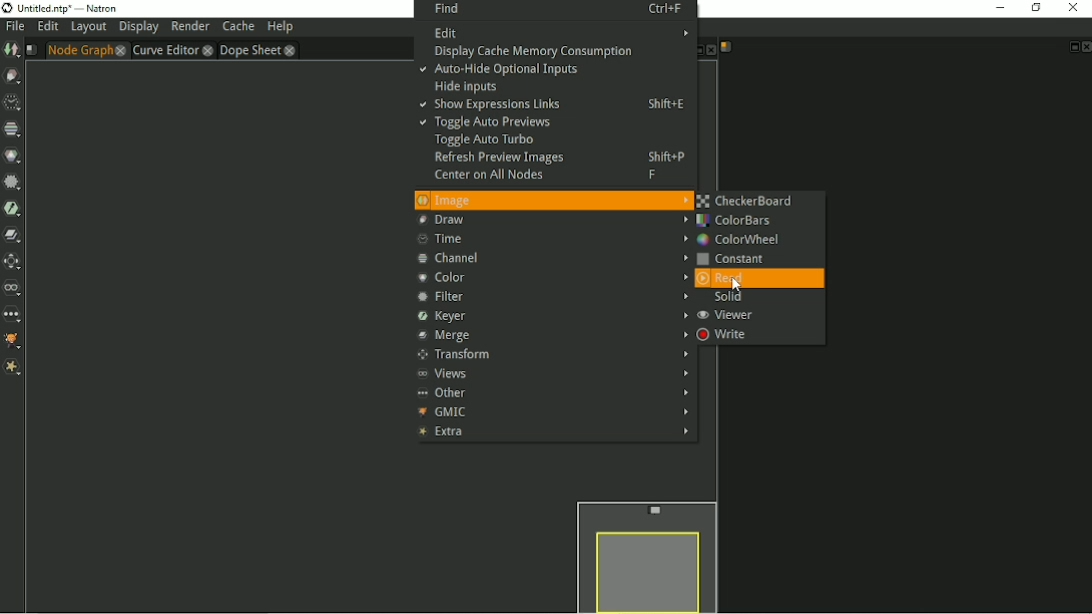 The image size is (1092, 614). I want to click on CheckerBoard, so click(751, 201).